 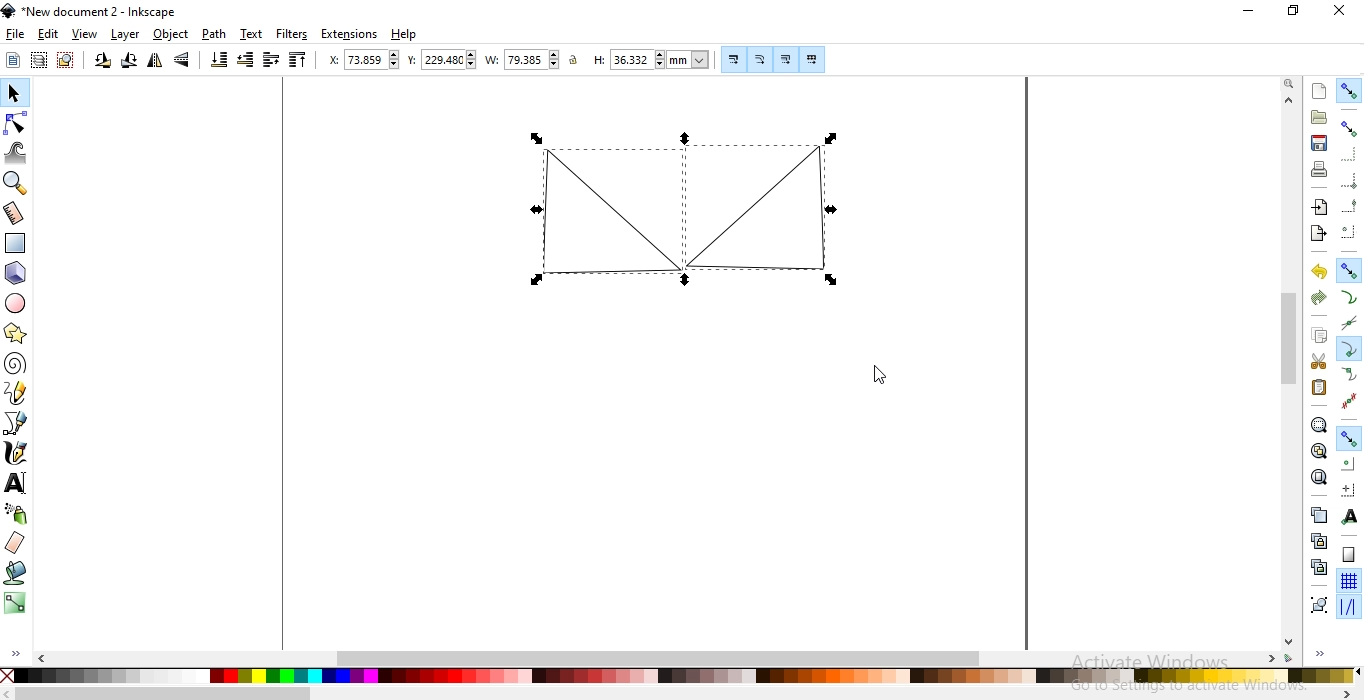 What do you see at coordinates (1350, 438) in the screenshot?
I see `snap other points` at bounding box center [1350, 438].